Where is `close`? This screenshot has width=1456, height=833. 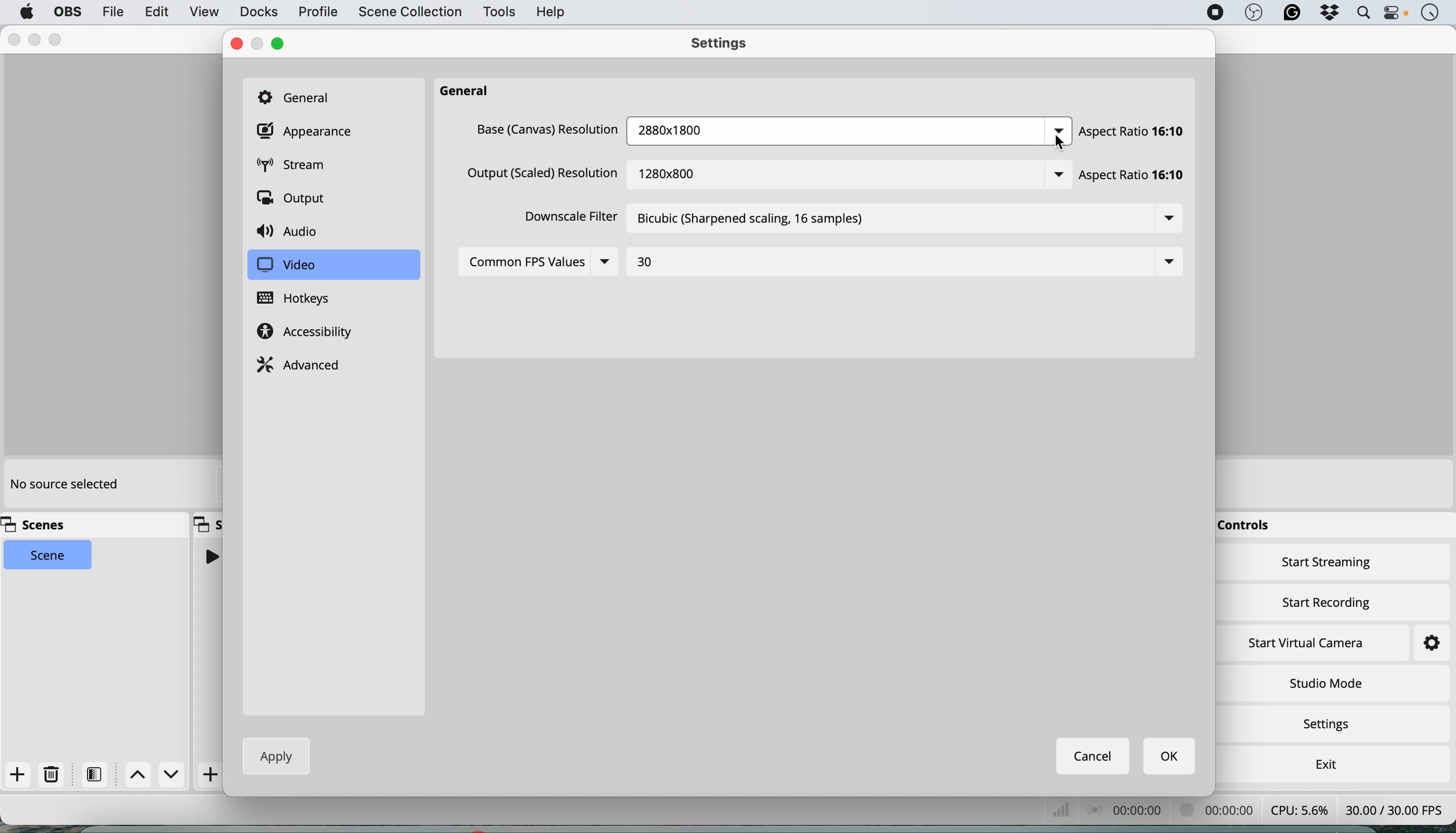
close is located at coordinates (14, 40).